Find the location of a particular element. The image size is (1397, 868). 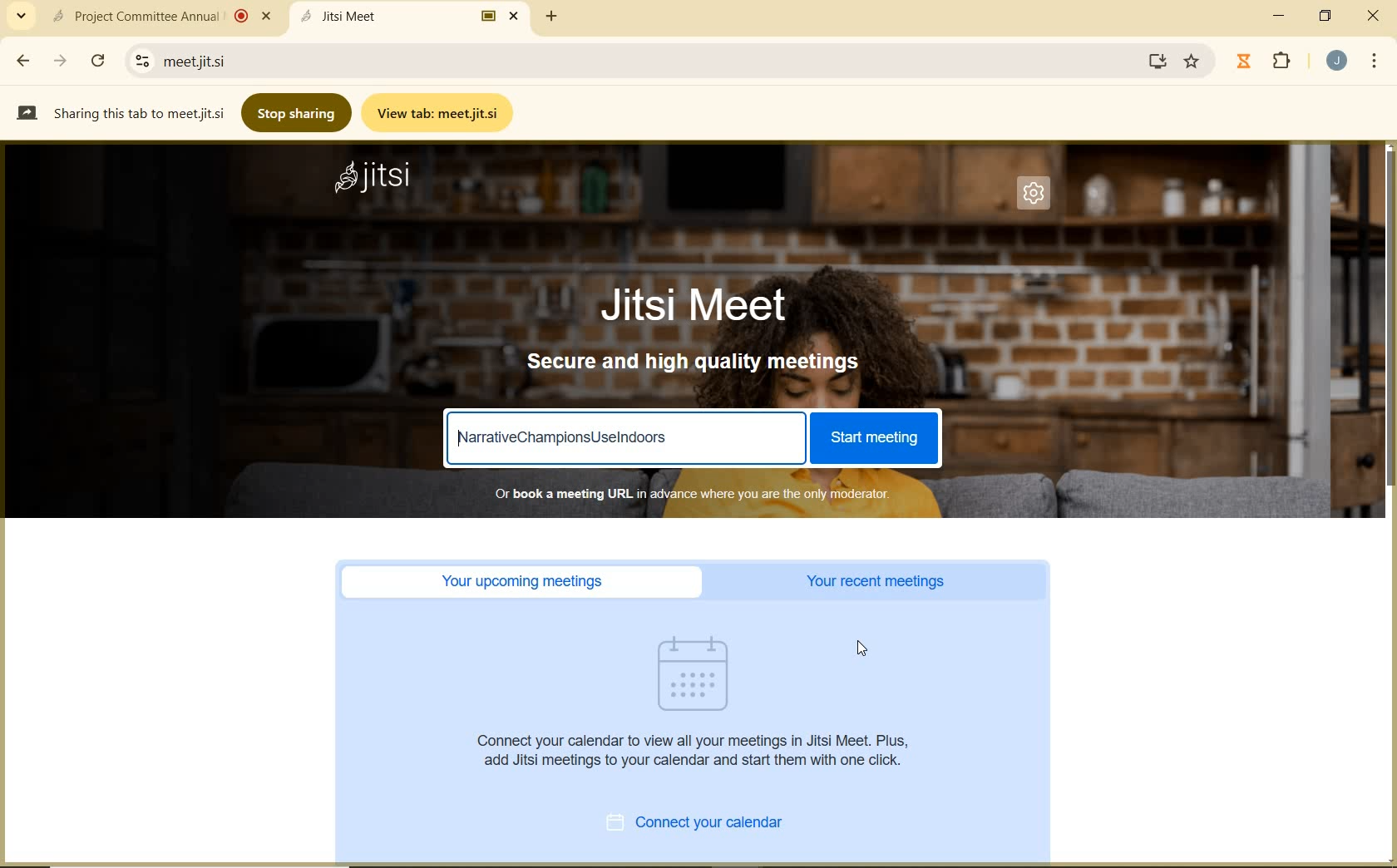

cursor is located at coordinates (866, 645).